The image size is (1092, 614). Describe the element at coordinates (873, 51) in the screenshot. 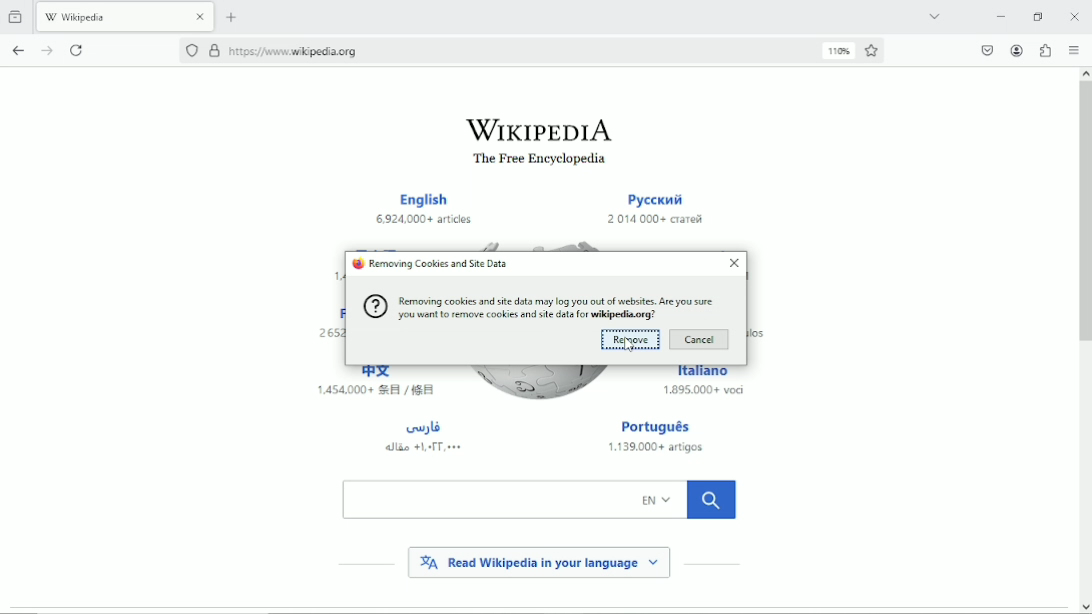

I see `bookmark this page` at that location.